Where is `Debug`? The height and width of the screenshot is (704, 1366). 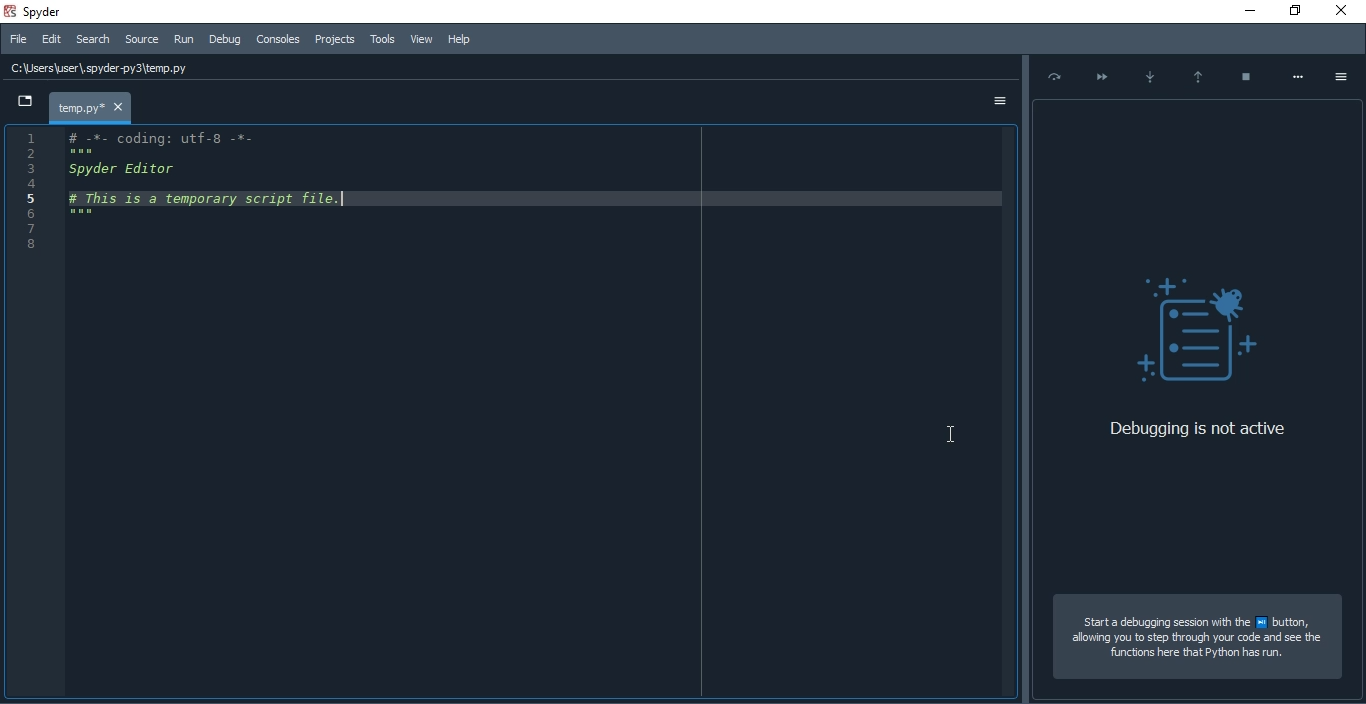
Debug is located at coordinates (226, 38).